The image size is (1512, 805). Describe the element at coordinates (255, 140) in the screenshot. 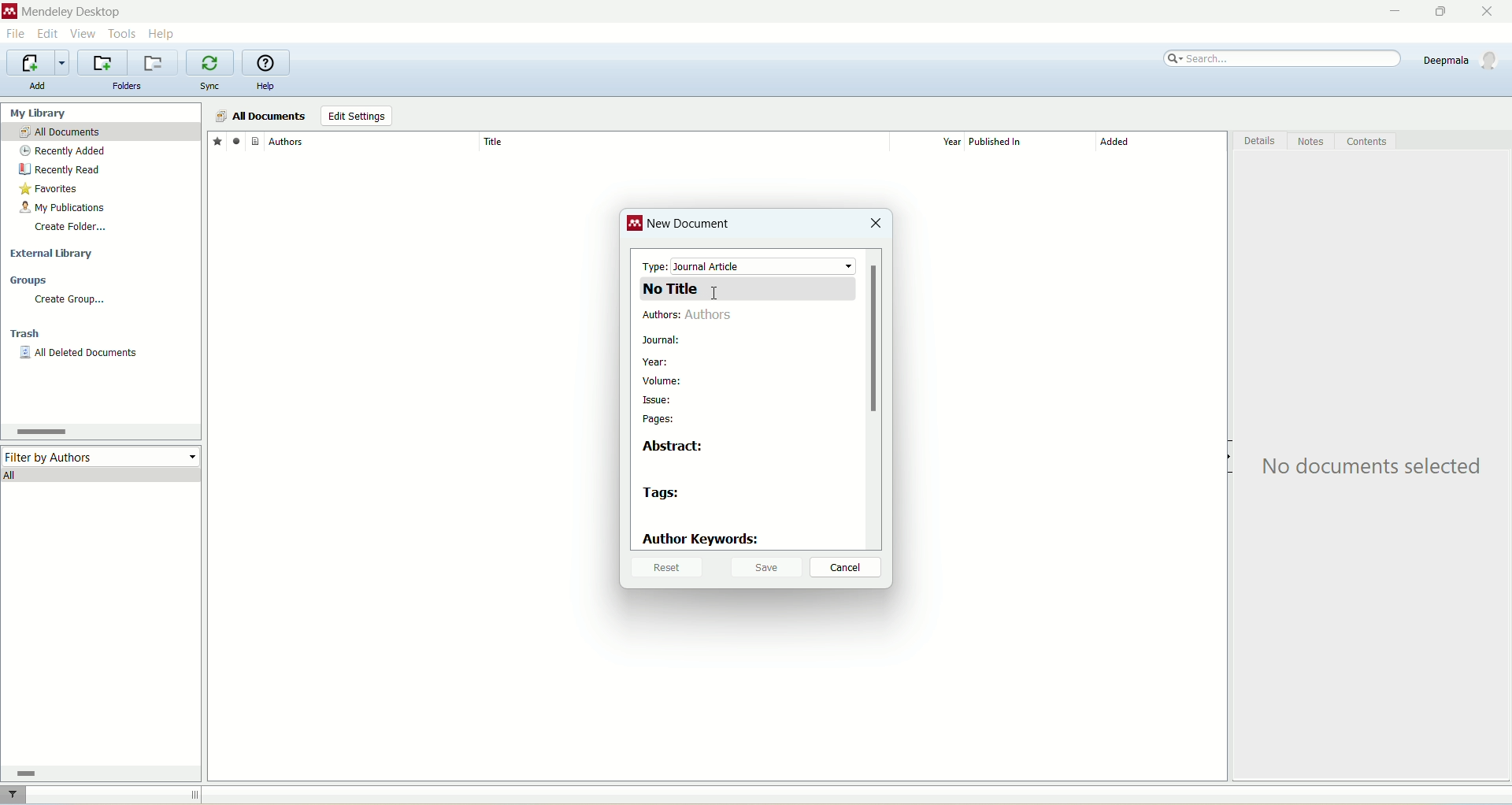

I see `document` at that location.